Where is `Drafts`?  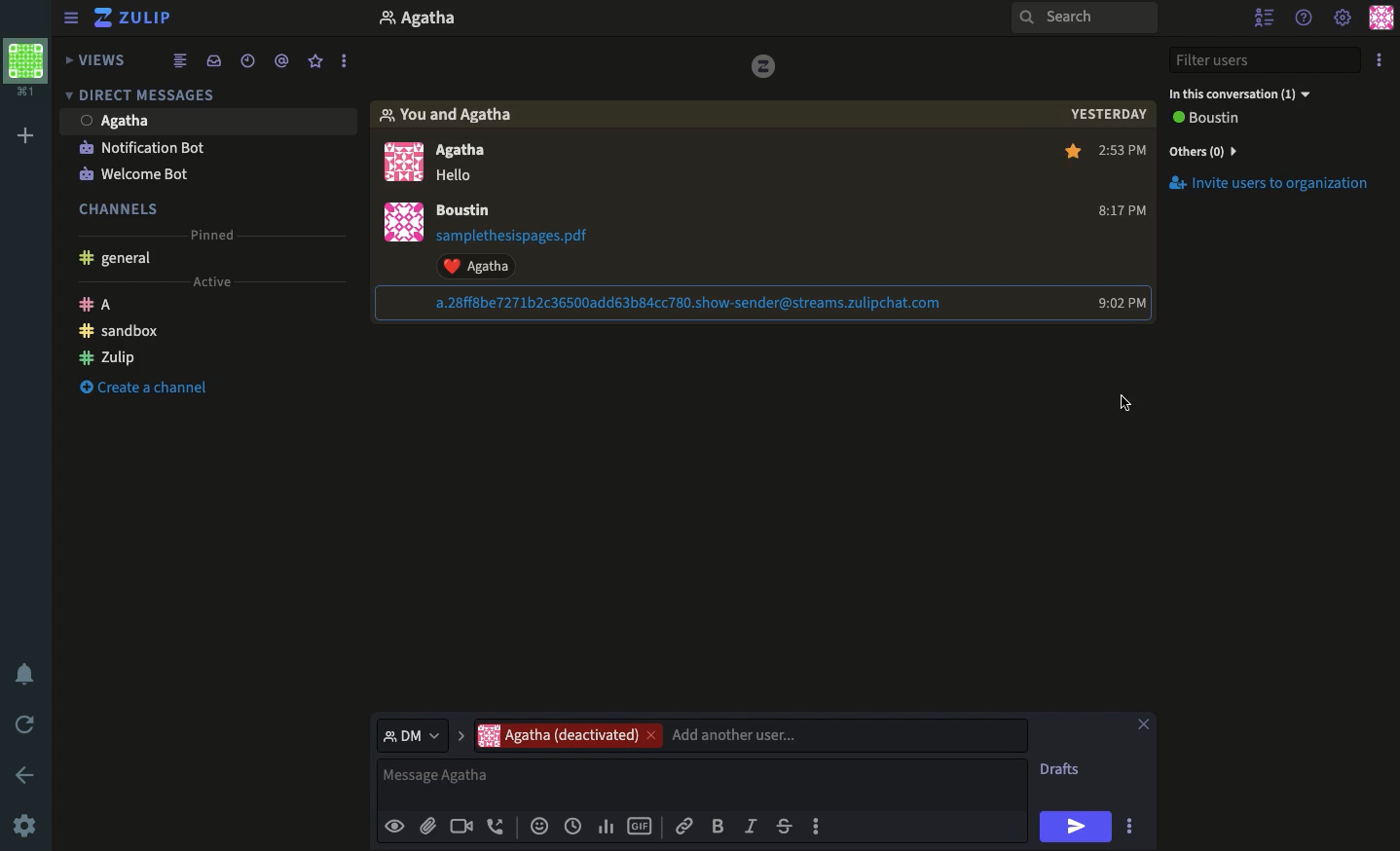 Drafts is located at coordinates (1060, 770).